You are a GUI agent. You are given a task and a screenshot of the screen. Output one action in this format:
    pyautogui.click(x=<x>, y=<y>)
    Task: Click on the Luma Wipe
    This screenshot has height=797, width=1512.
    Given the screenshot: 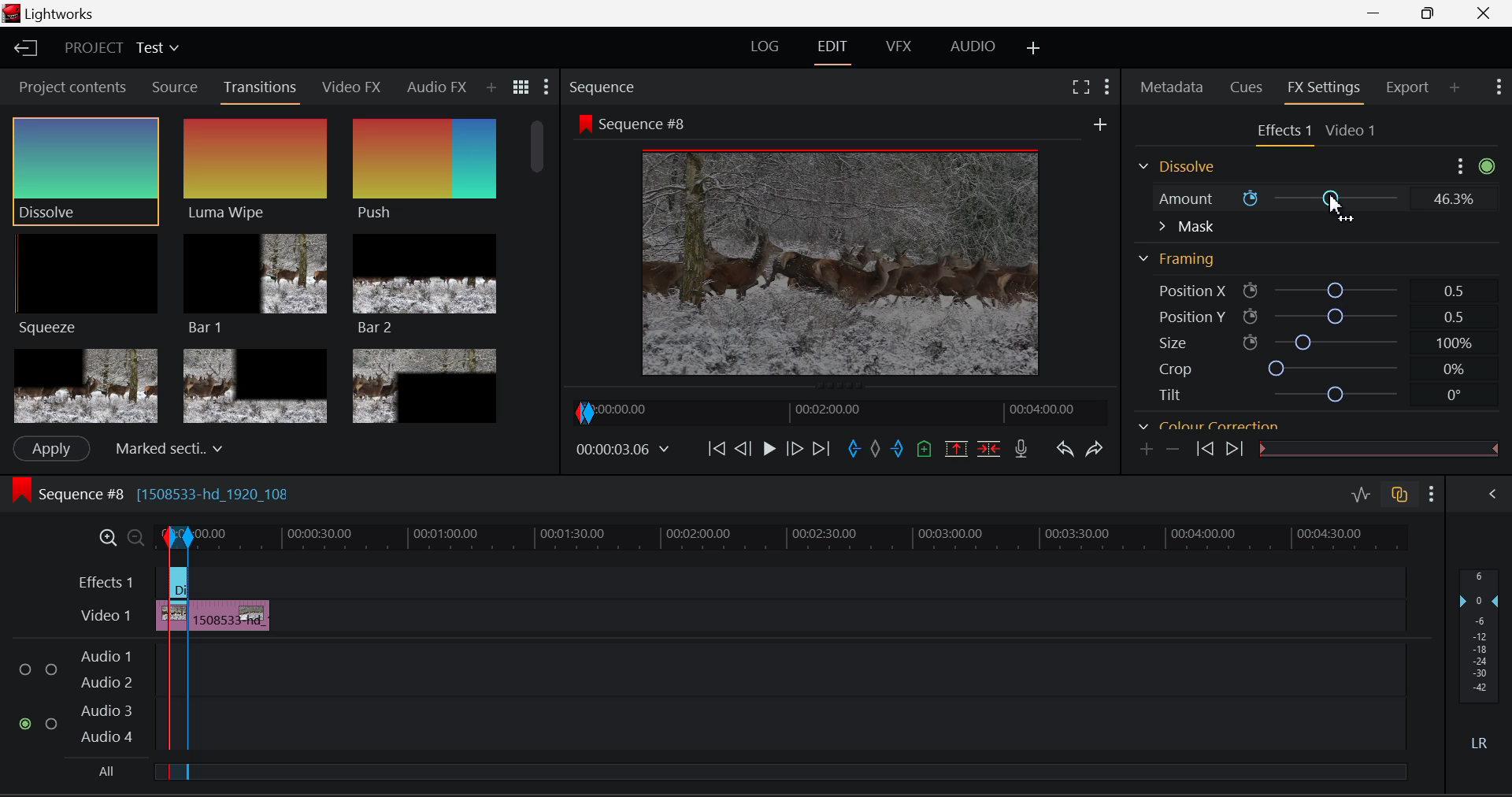 What is the action you would take?
    pyautogui.click(x=256, y=170)
    